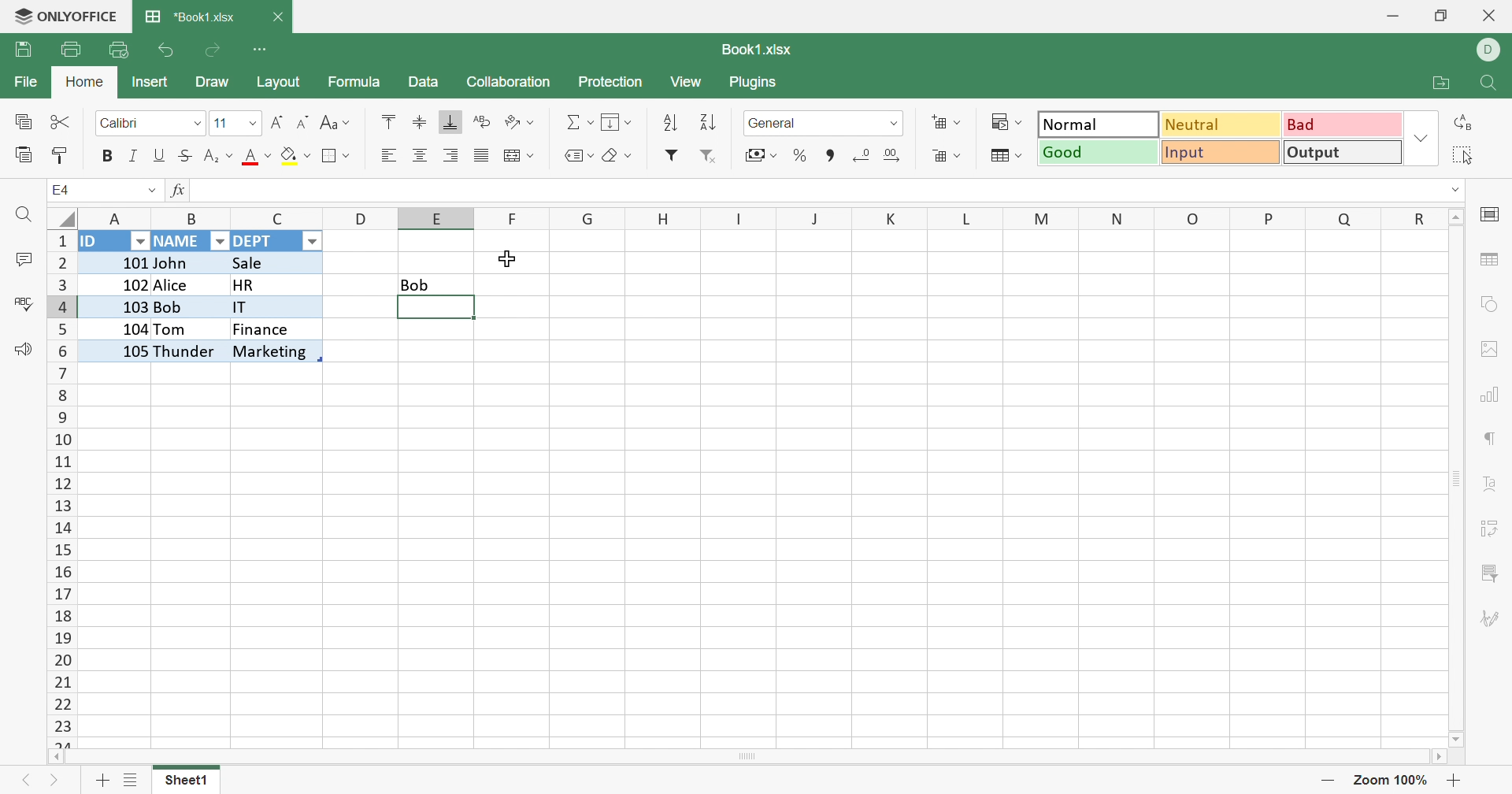  Describe the element at coordinates (388, 157) in the screenshot. I see `Align Left` at that location.